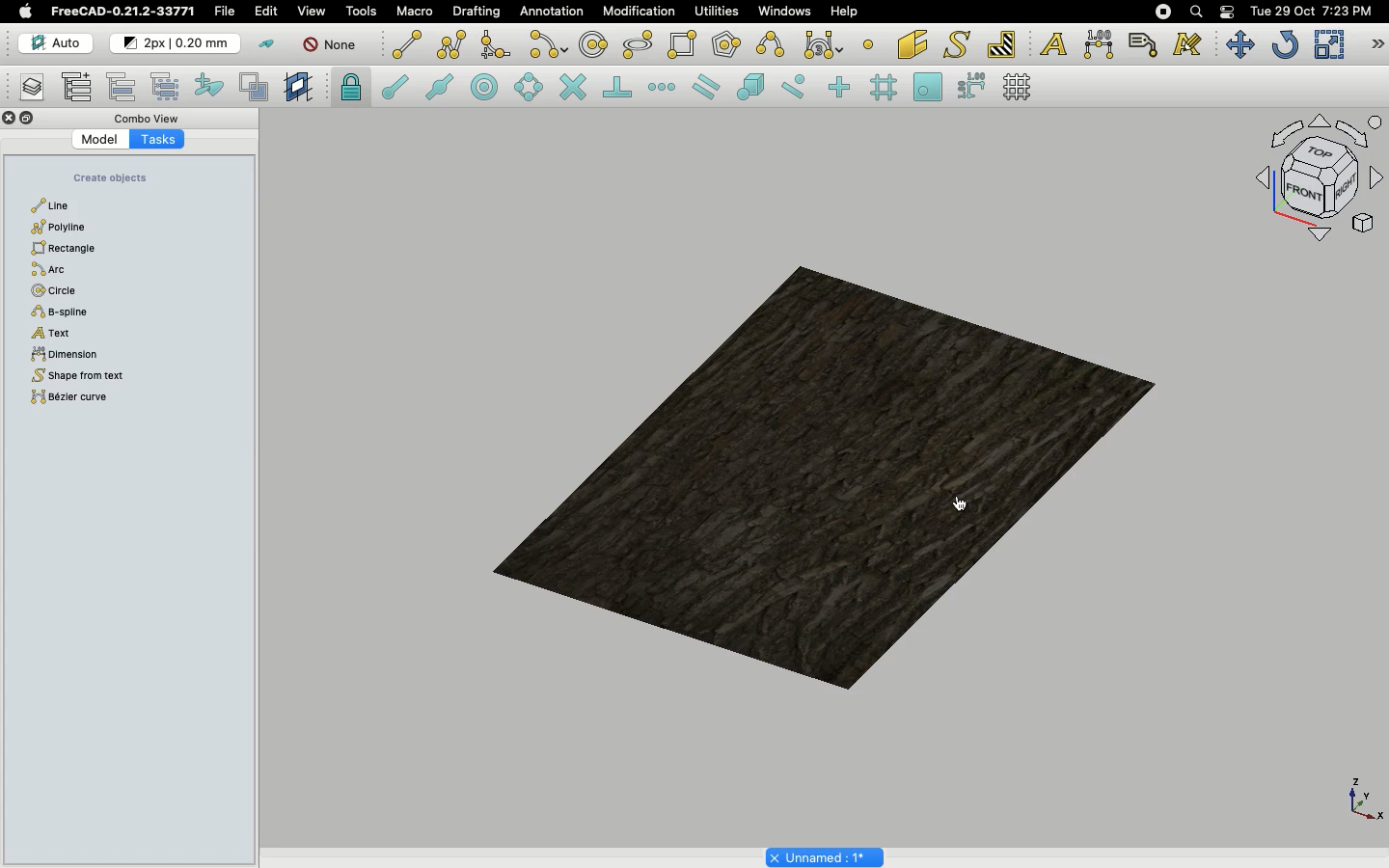 The height and width of the screenshot is (868, 1389). What do you see at coordinates (825, 856) in the screenshot?
I see `Project name` at bounding box center [825, 856].